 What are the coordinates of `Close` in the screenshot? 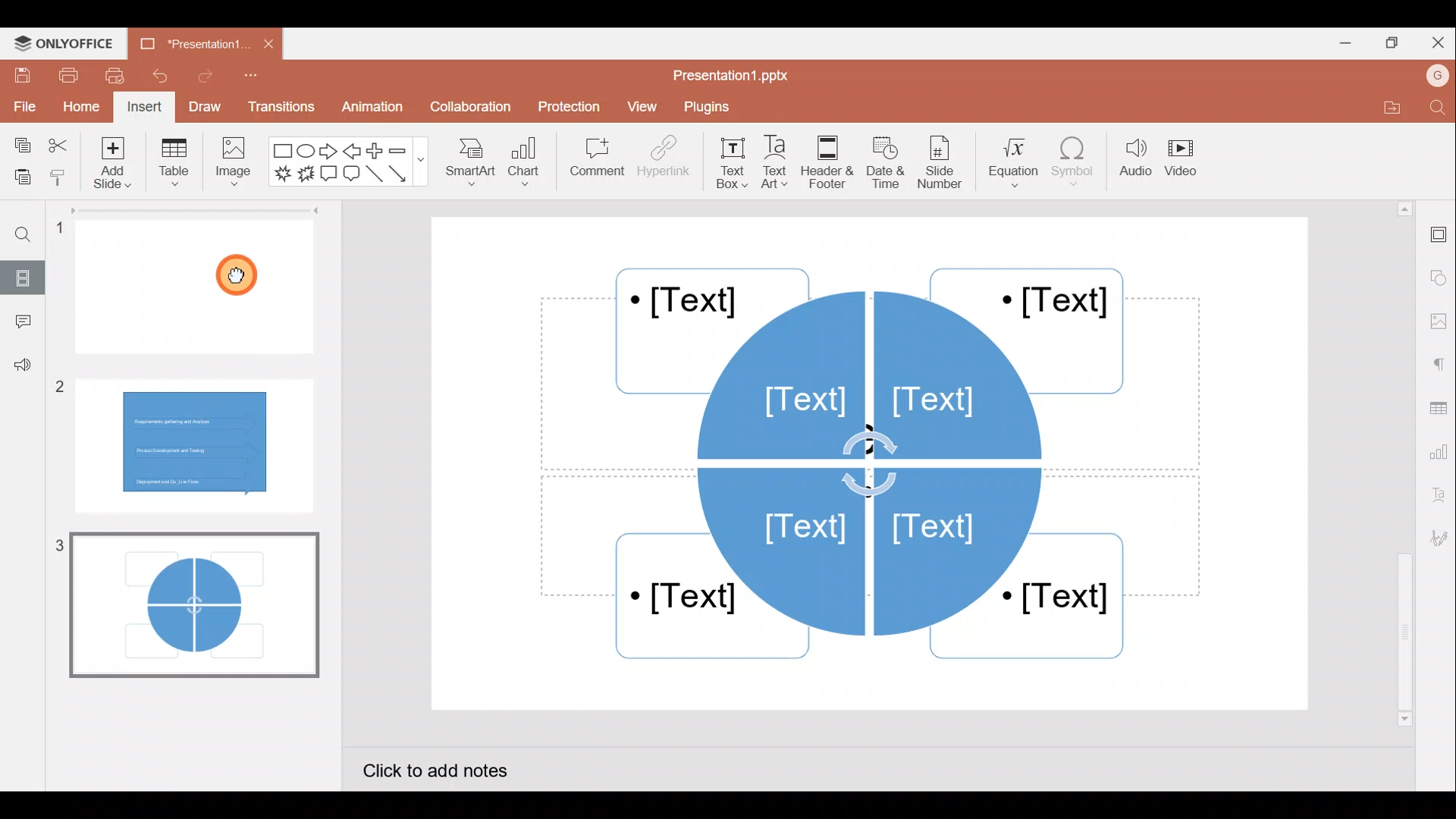 It's located at (1439, 40).